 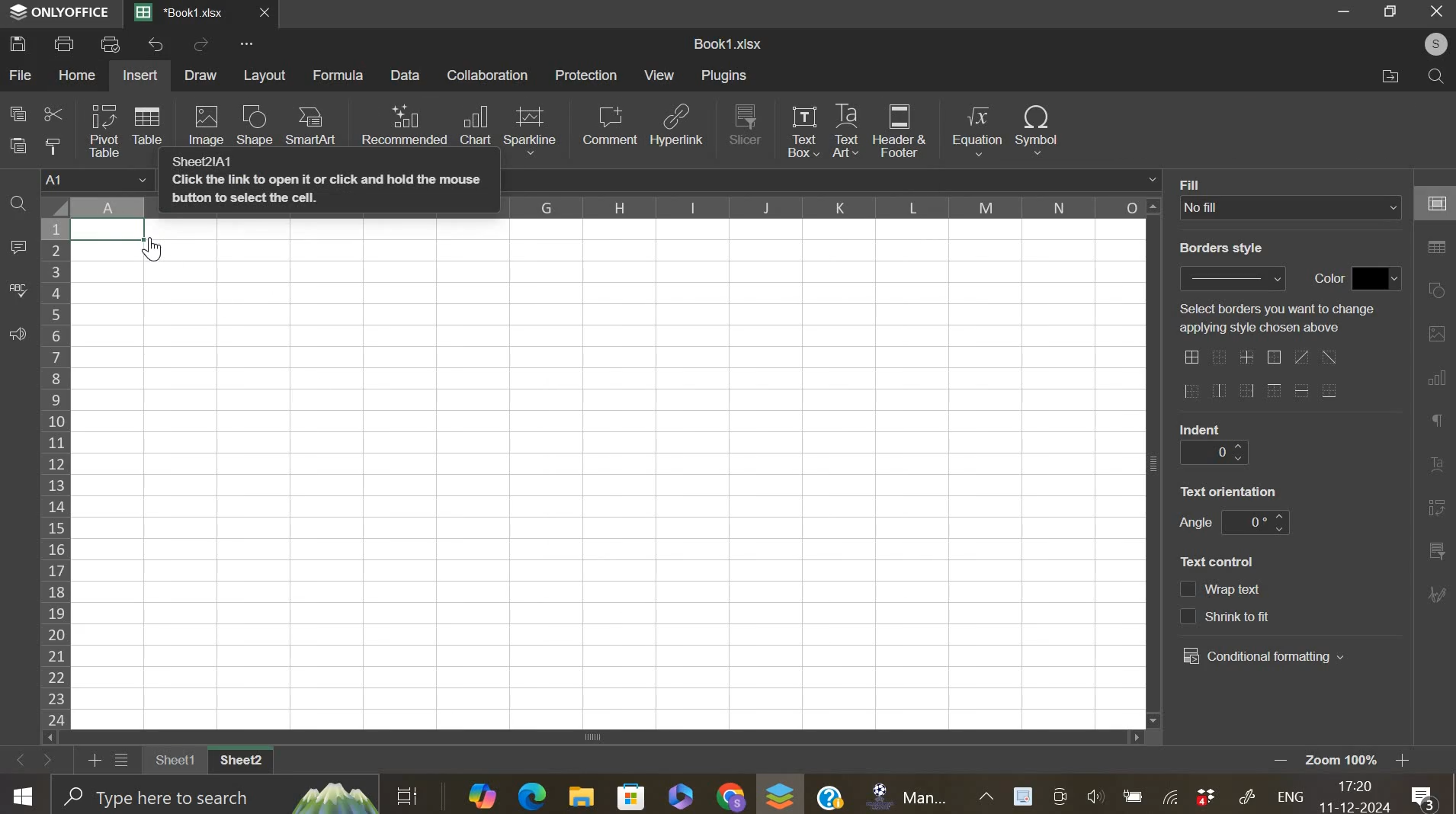 I want to click on recommend chart, so click(x=405, y=124).